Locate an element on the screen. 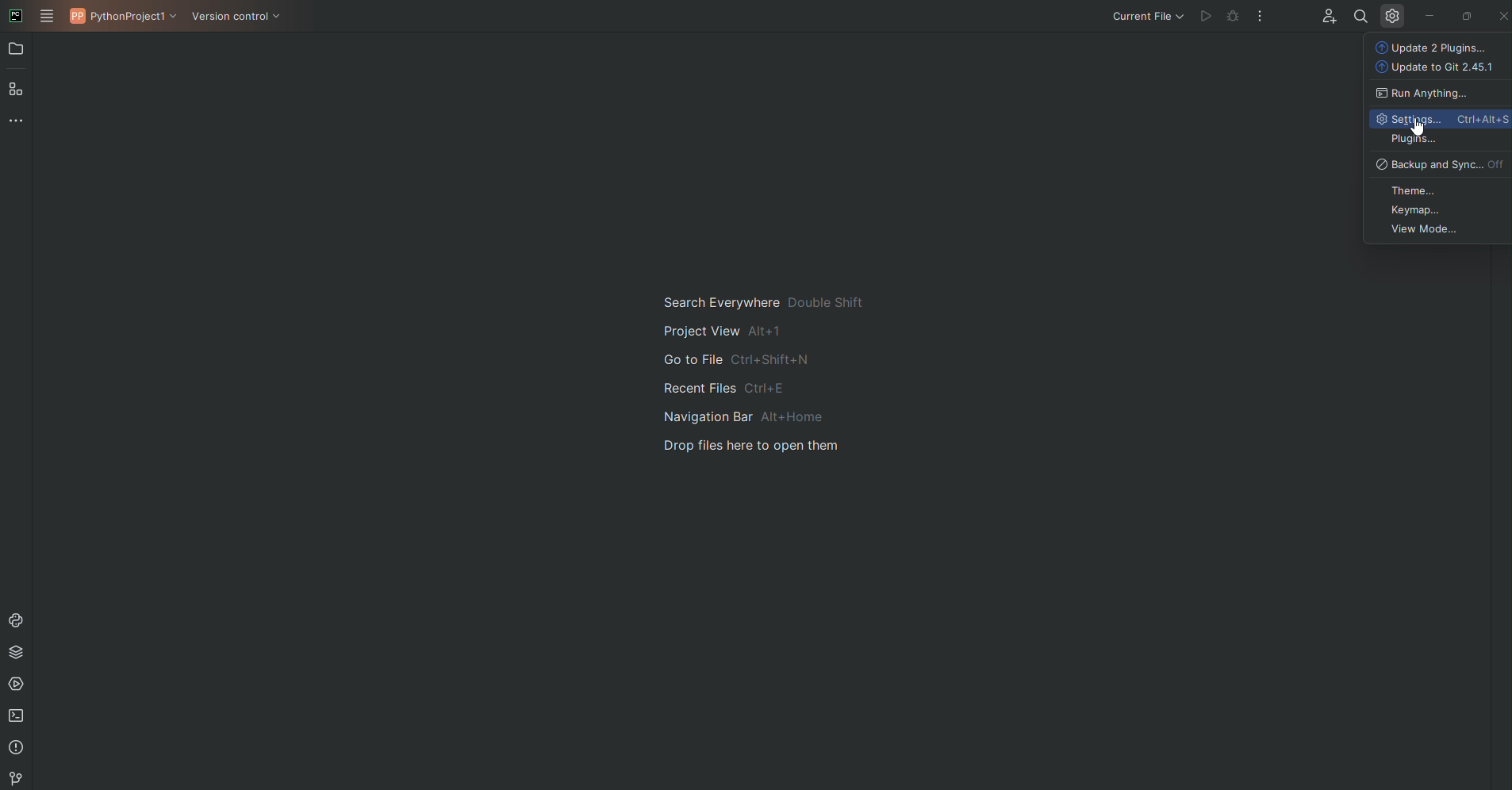 The width and height of the screenshot is (1512, 790). Console is located at coordinates (15, 618).